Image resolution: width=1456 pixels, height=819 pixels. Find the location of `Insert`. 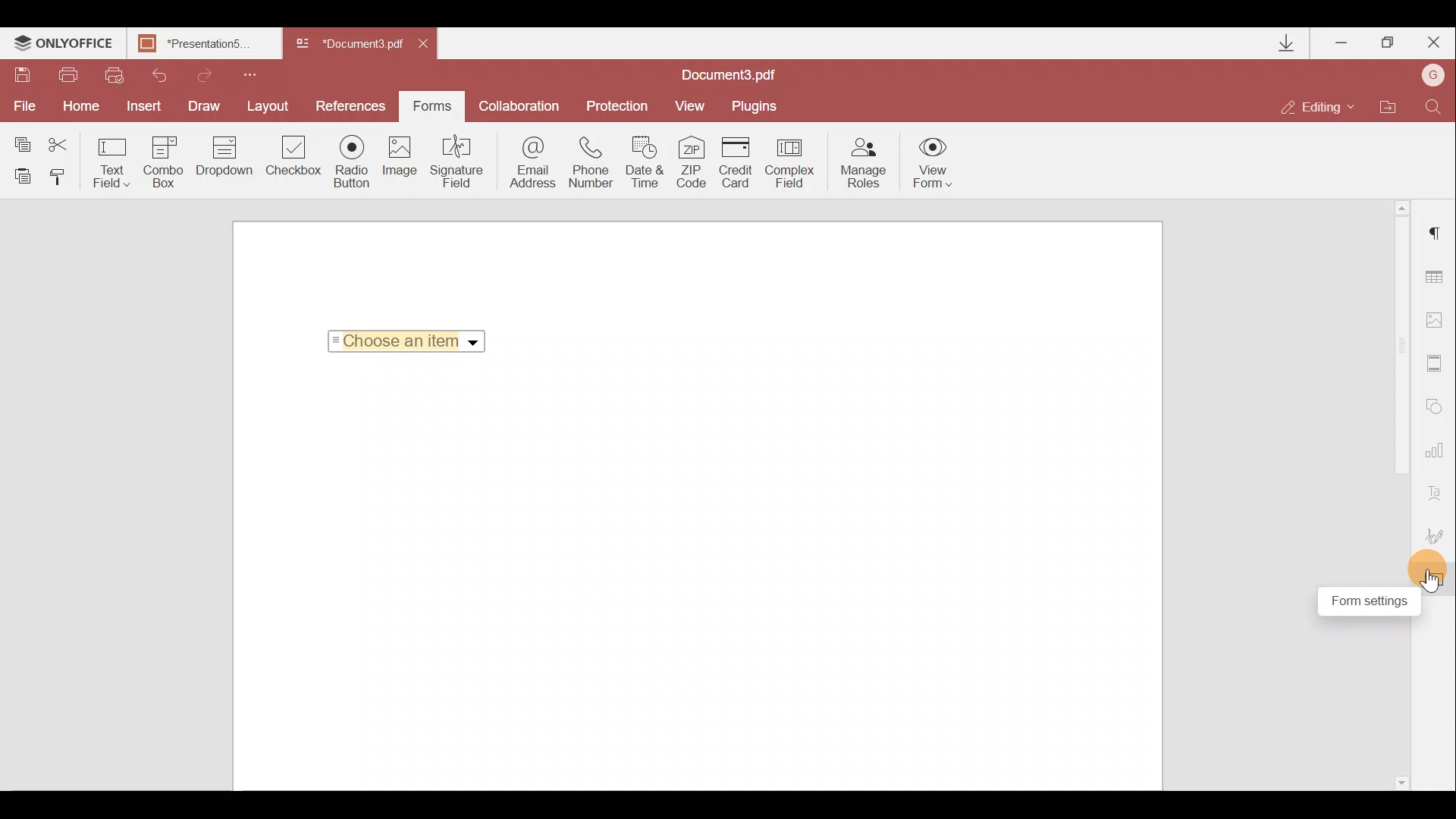

Insert is located at coordinates (140, 103).